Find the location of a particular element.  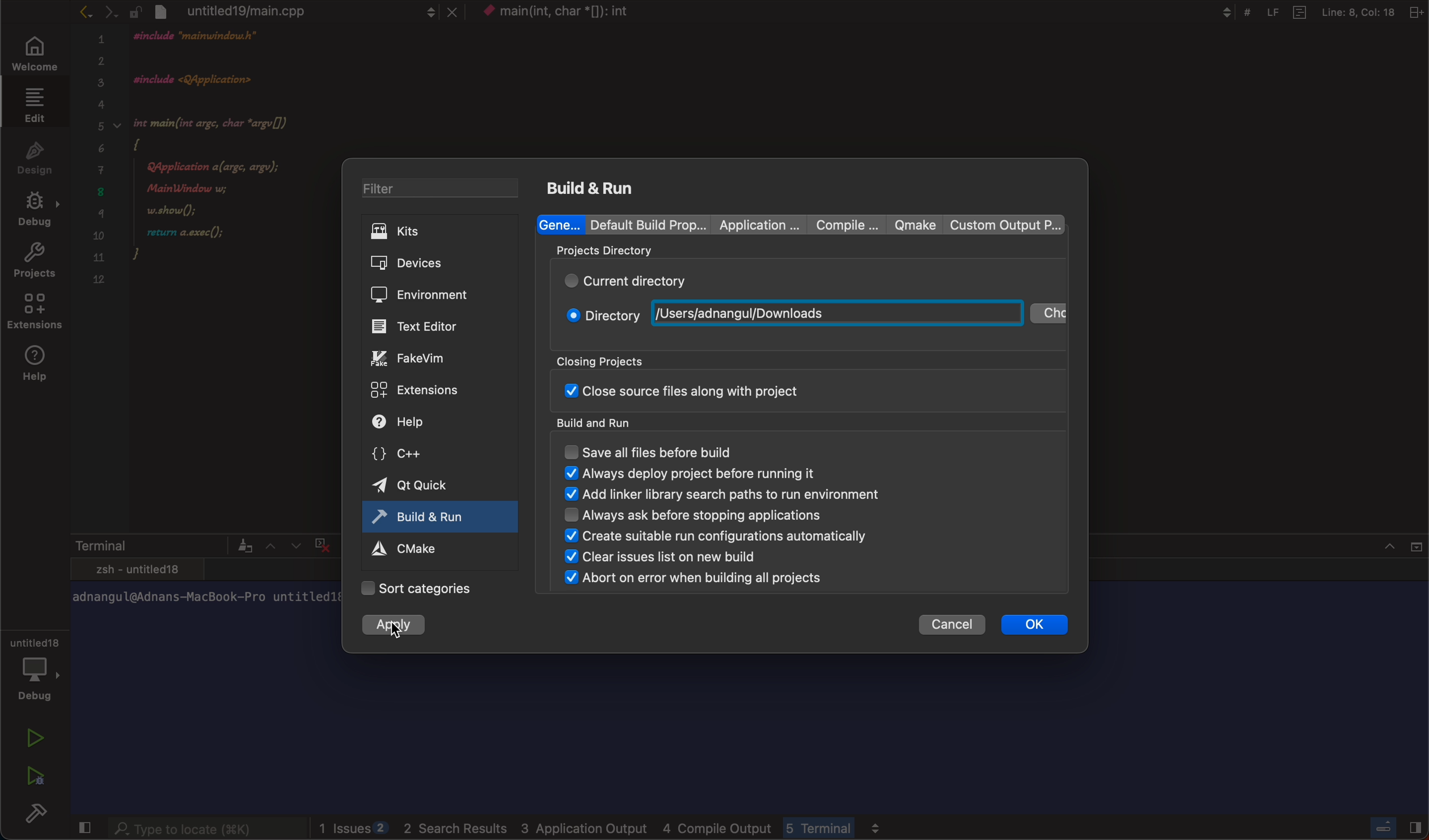

file tab is located at coordinates (306, 11).